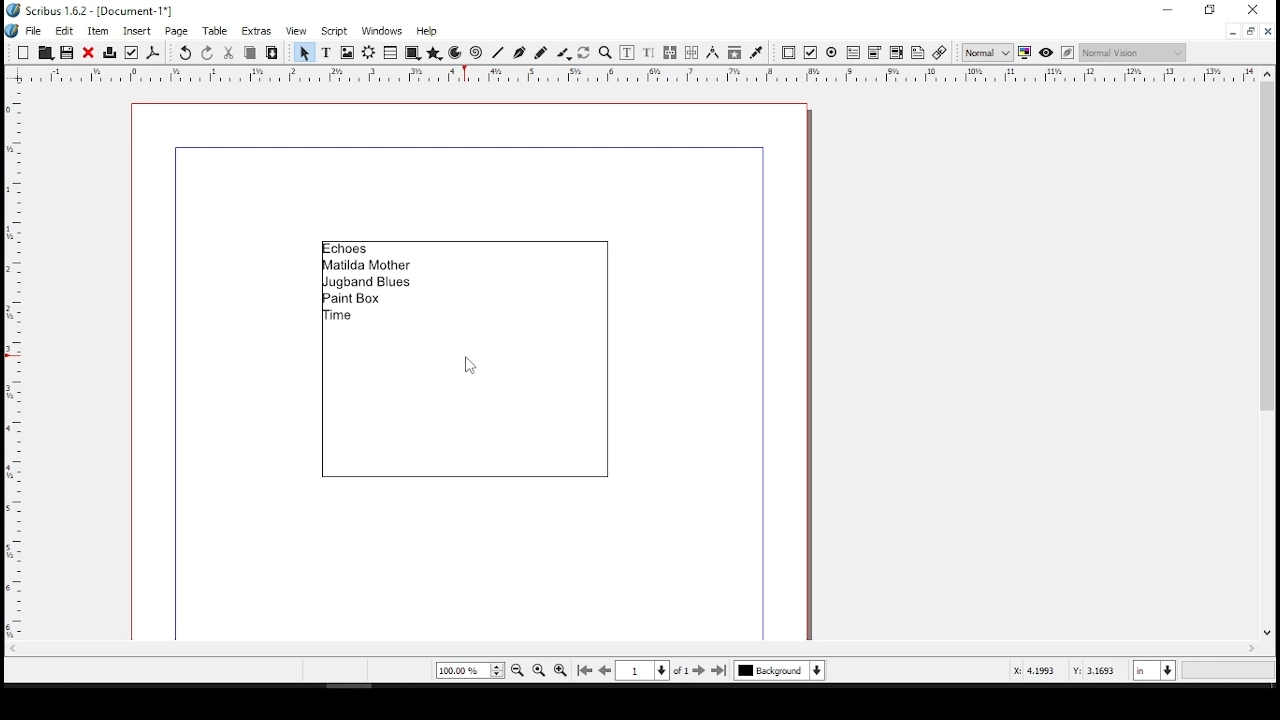  Describe the element at coordinates (918, 52) in the screenshot. I see `text annotation` at that location.